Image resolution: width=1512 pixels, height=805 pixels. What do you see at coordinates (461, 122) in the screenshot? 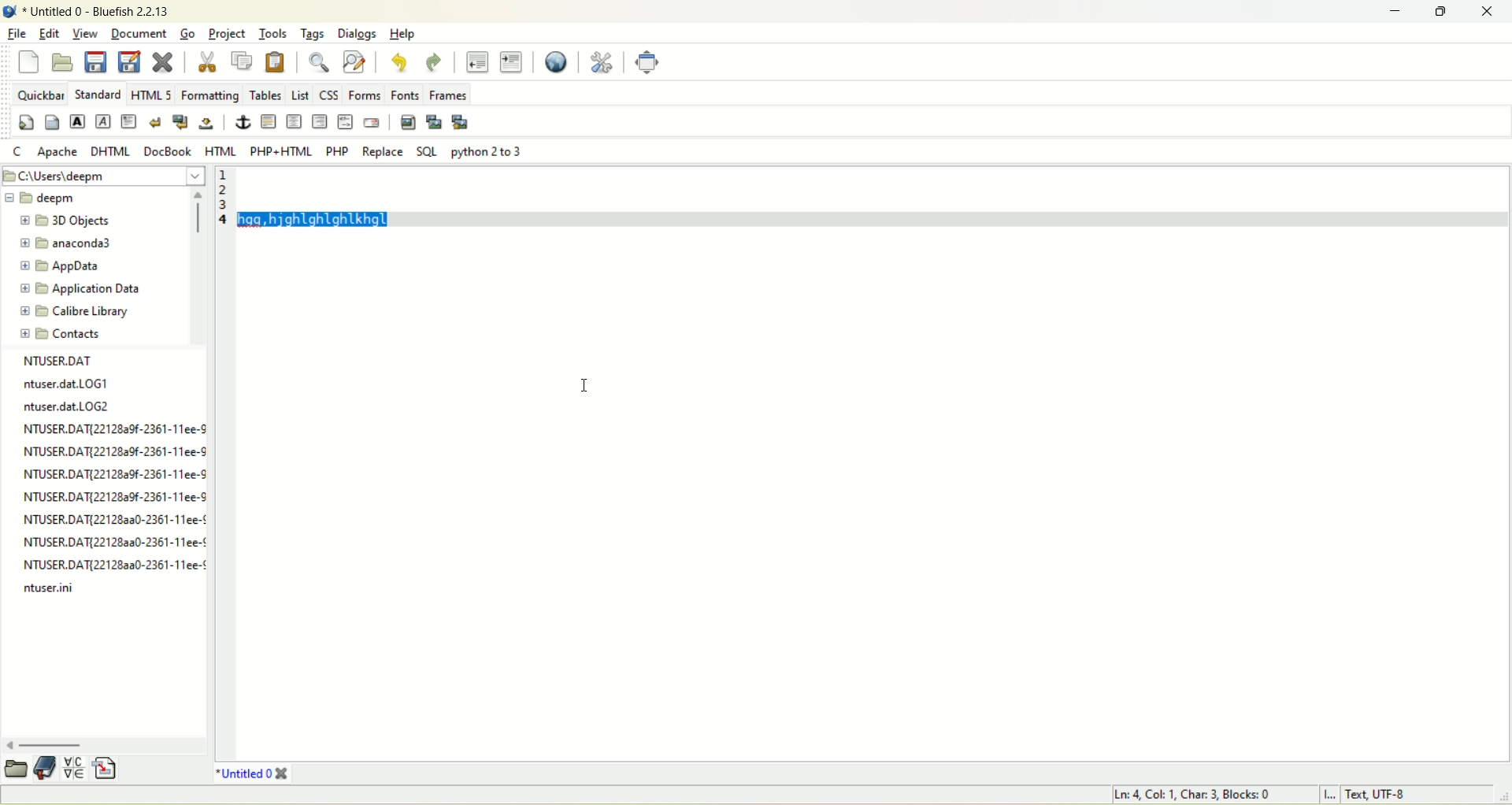
I see `multi thumbnail` at bounding box center [461, 122].